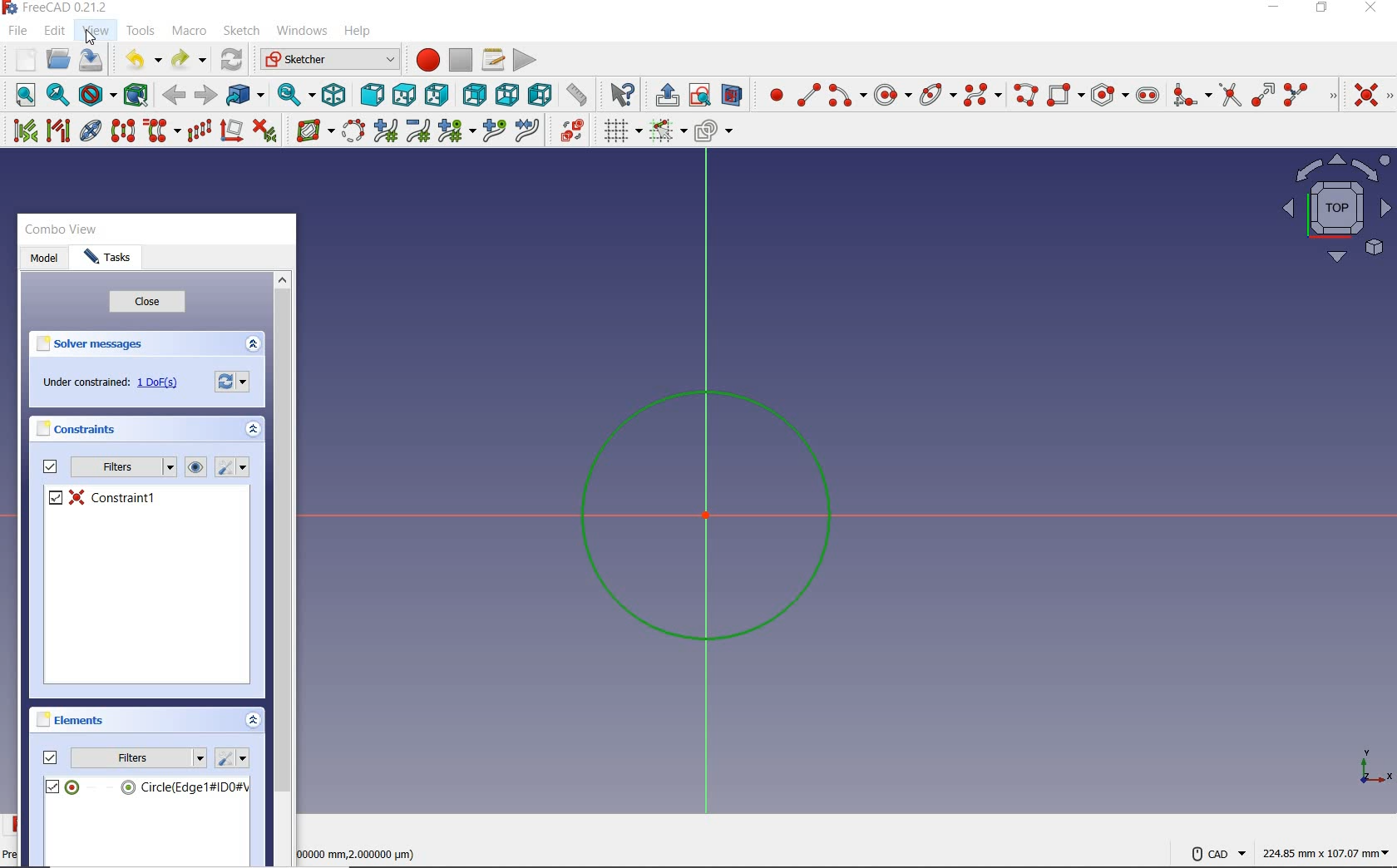  I want to click on reload, so click(231, 59).